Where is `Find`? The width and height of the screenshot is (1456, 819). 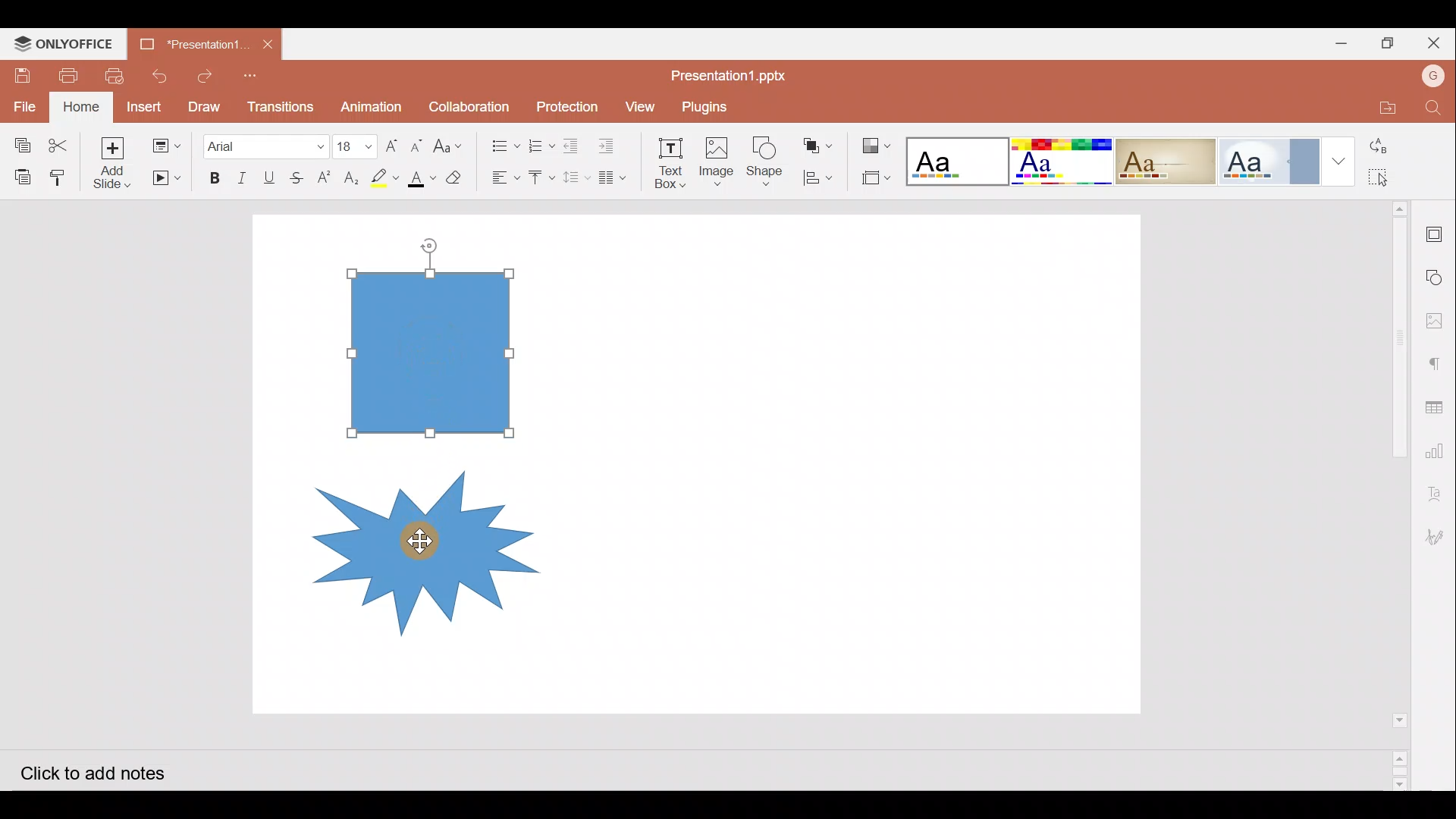 Find is located at coordinates (1434, 108).